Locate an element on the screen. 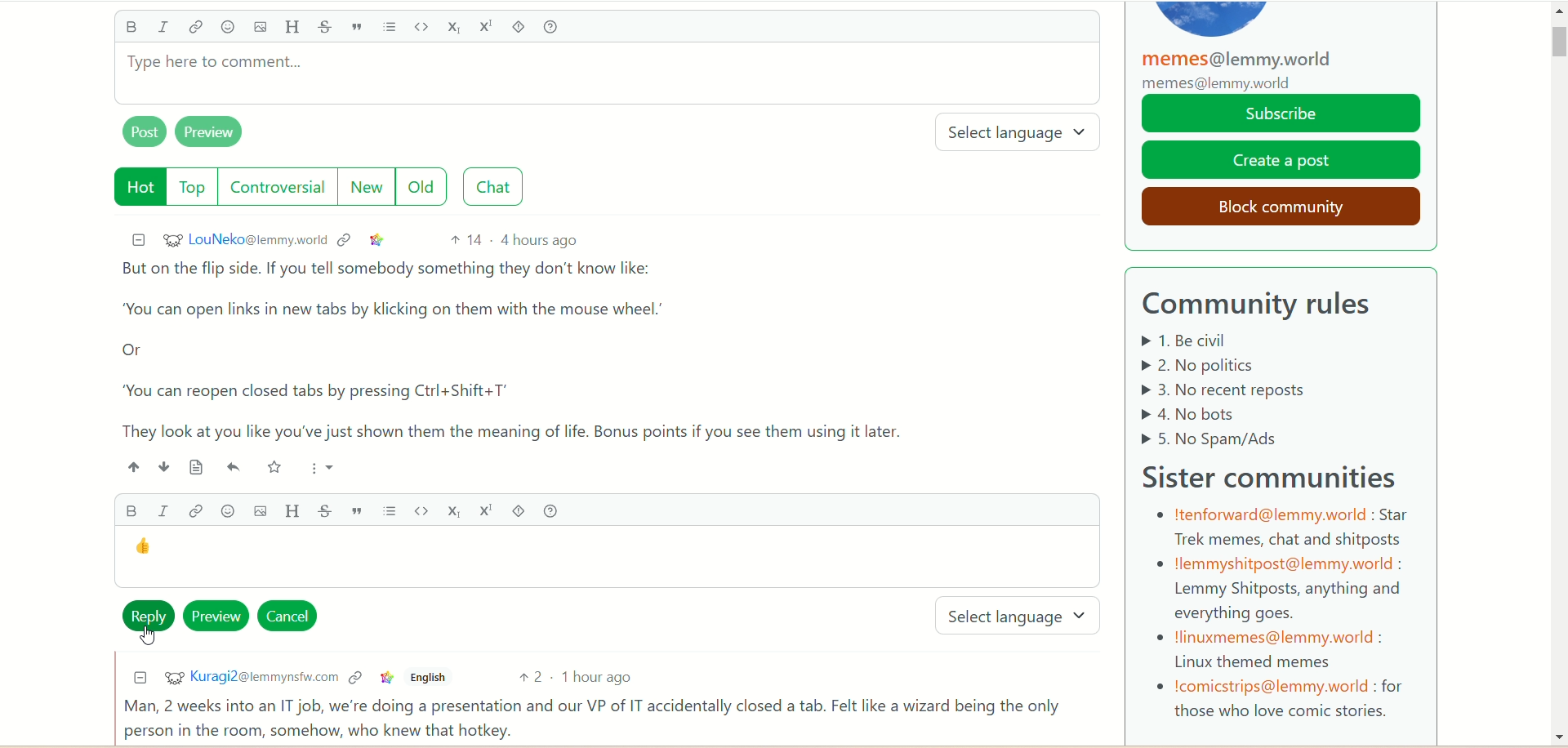  source is located at coordinates (189, 467).